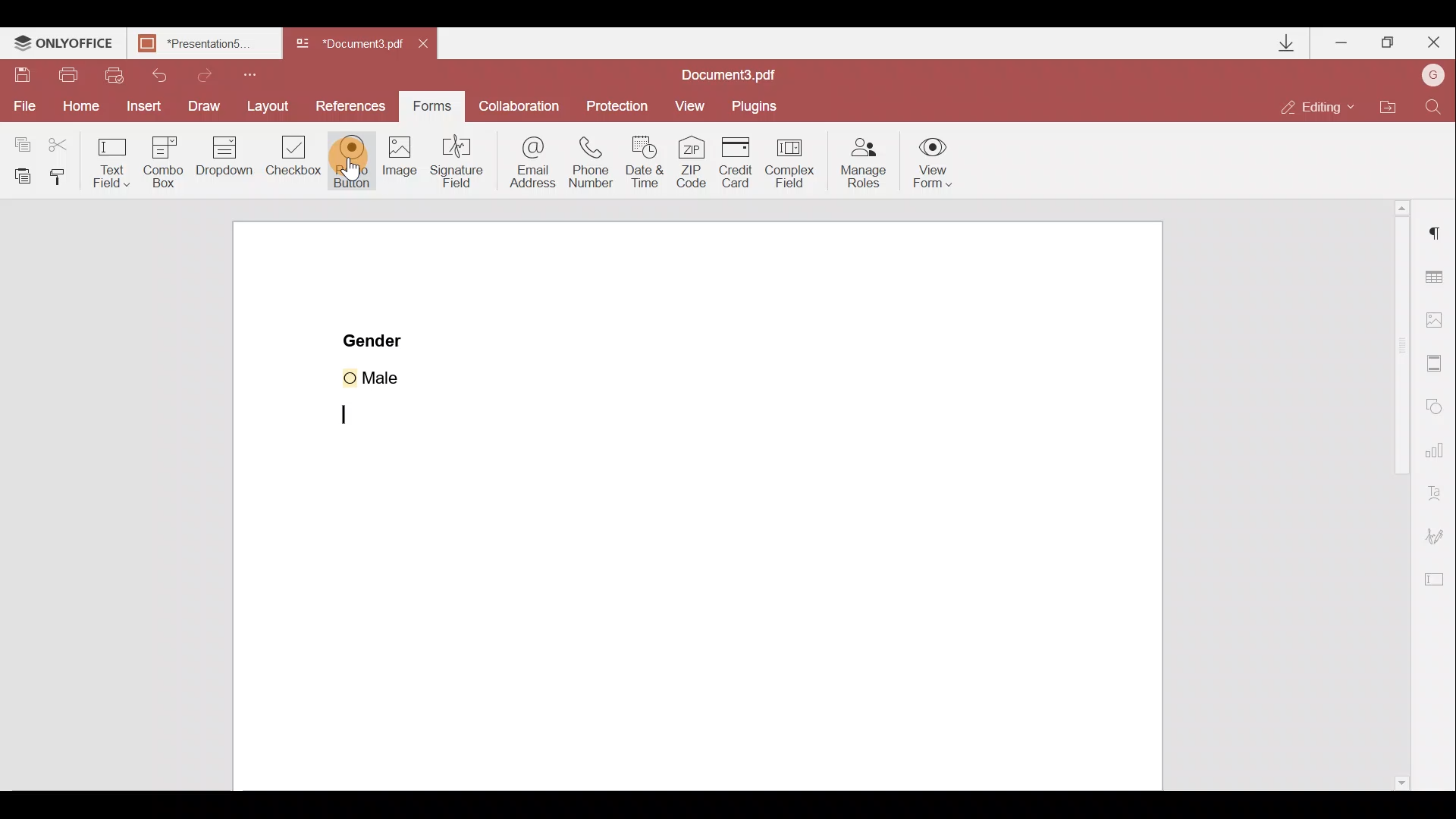  I want to click on Checkbox, so click(295, 160).